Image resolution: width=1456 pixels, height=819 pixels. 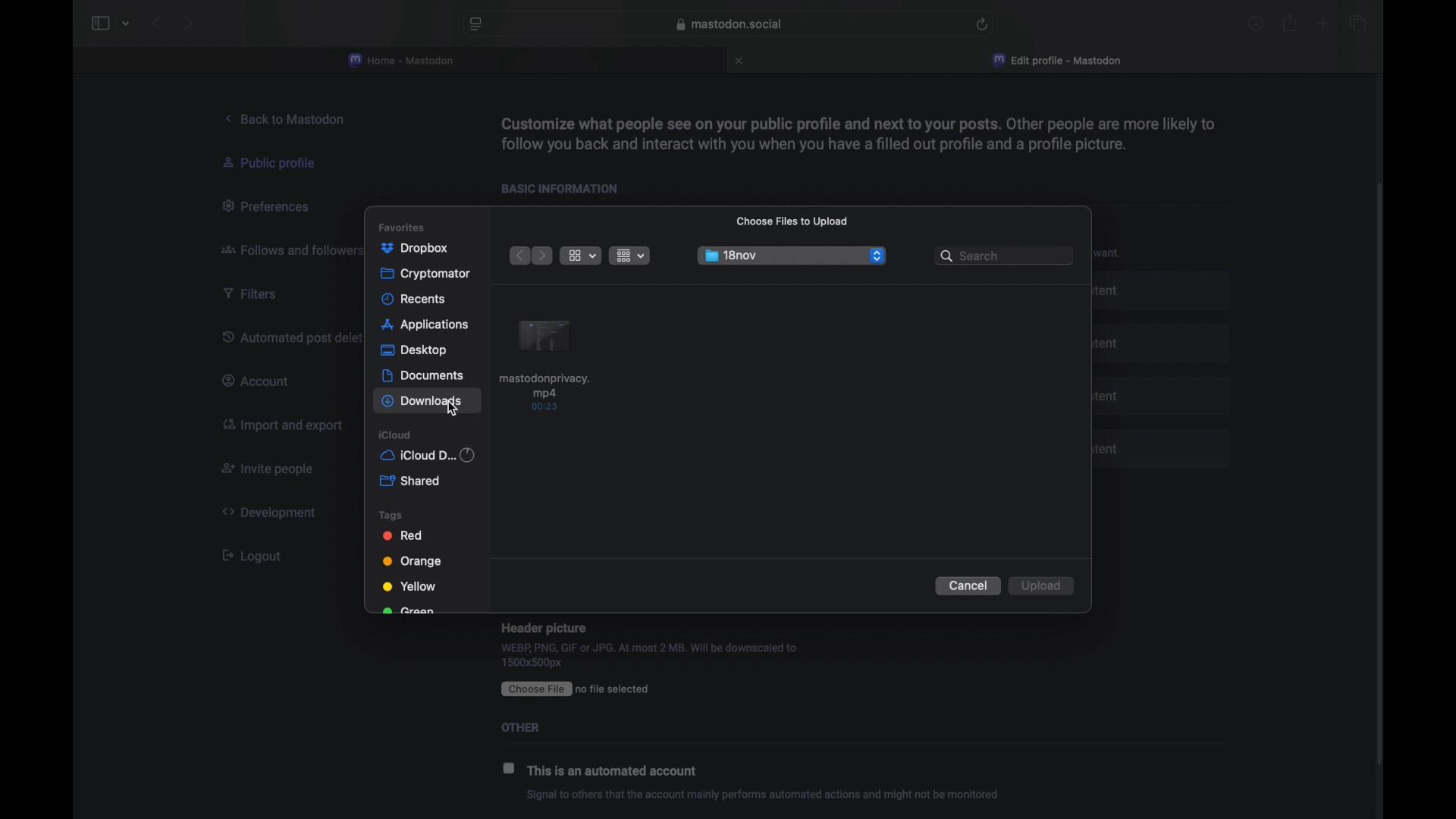 I want to click on Header picture, so click(x=544, y=626).